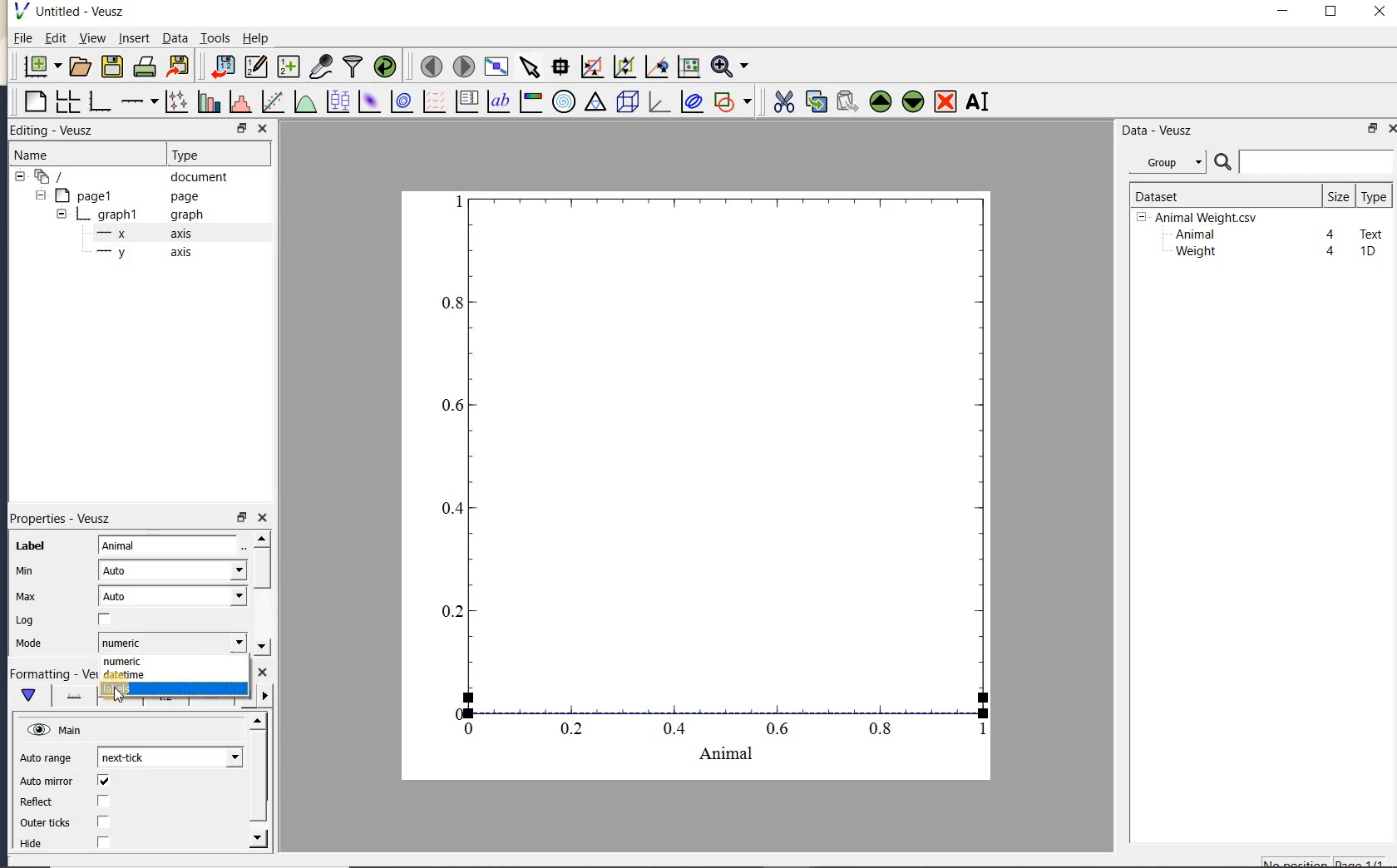 The width and height of the screenshot is (1397, 868). Describe the element at coordinates (27, 695) in the screenshot. I see `main formatting` at that location.